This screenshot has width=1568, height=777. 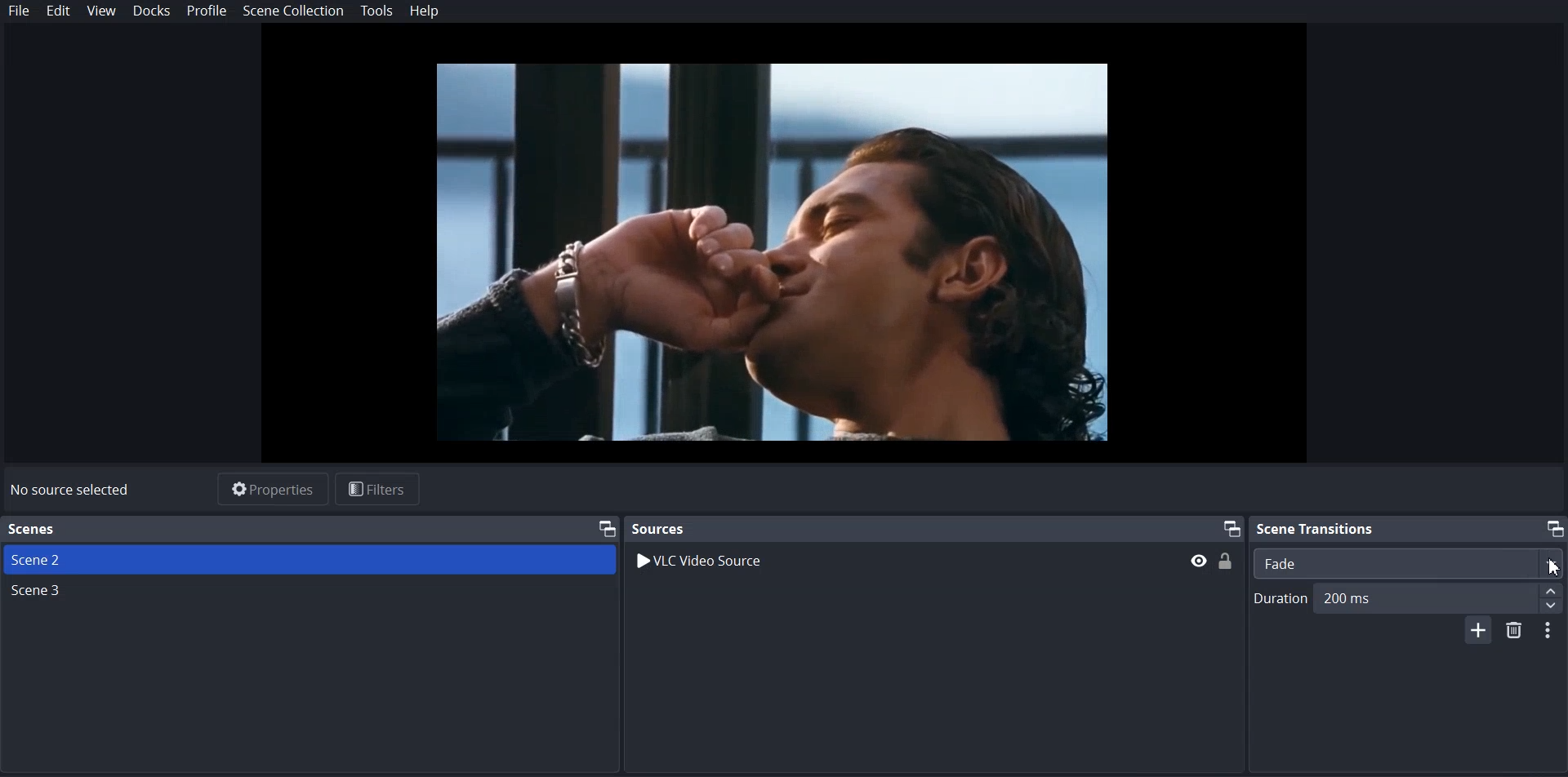 I want to click on Help, so click(x=423, y=12).